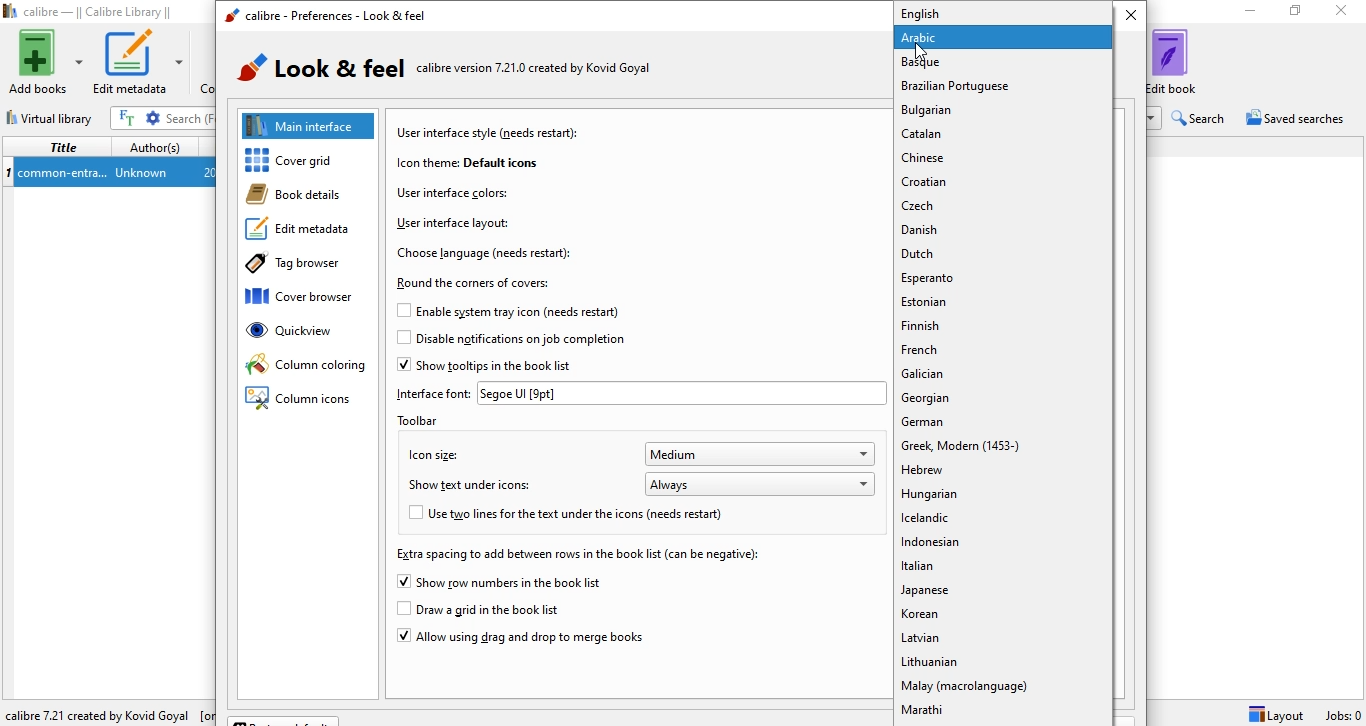  Describe the element at coordinates (304, 232) in the screenshot. I see `edit metadata` at that location.